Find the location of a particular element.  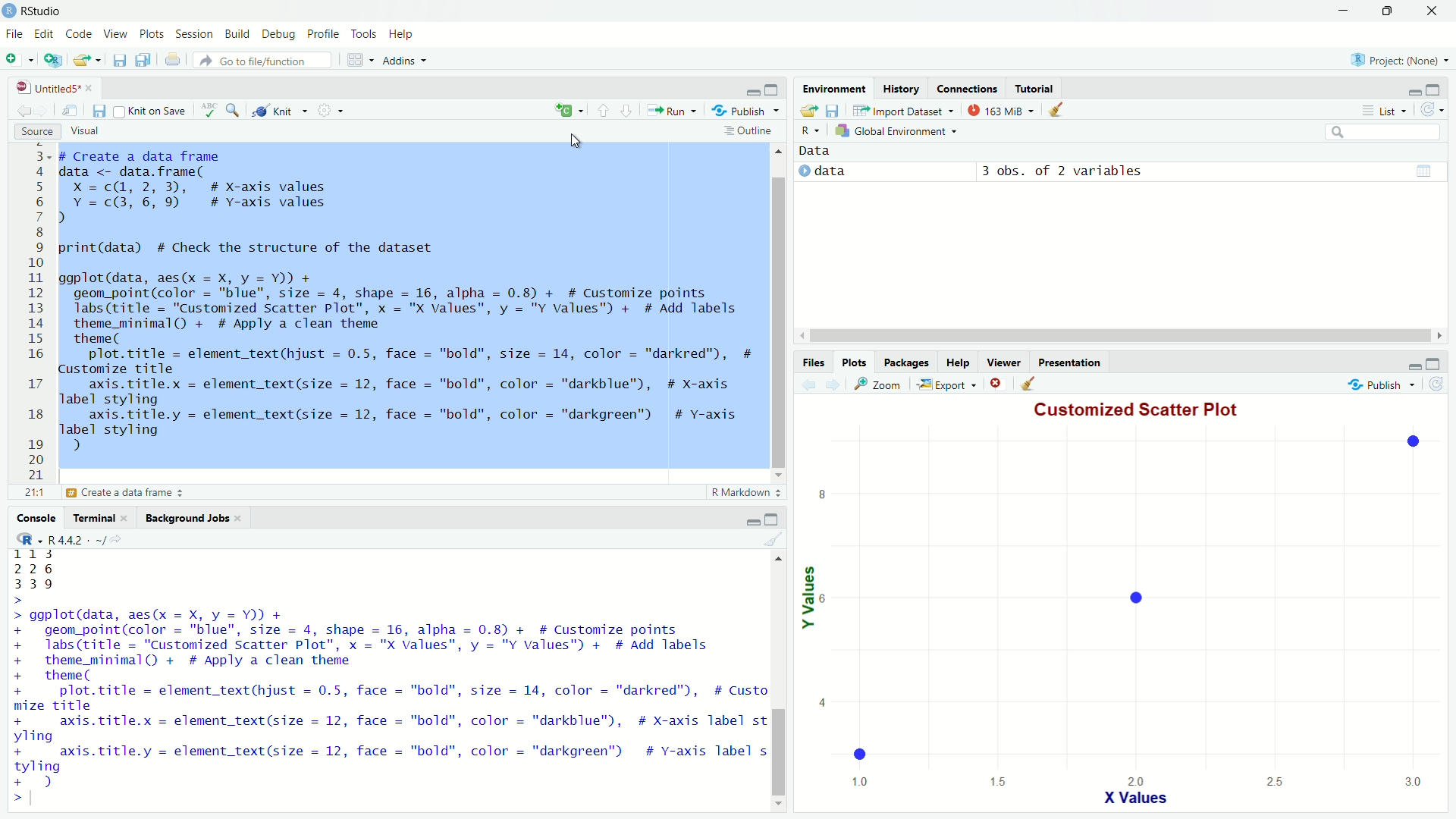

R is located at coordinates (805, 130).